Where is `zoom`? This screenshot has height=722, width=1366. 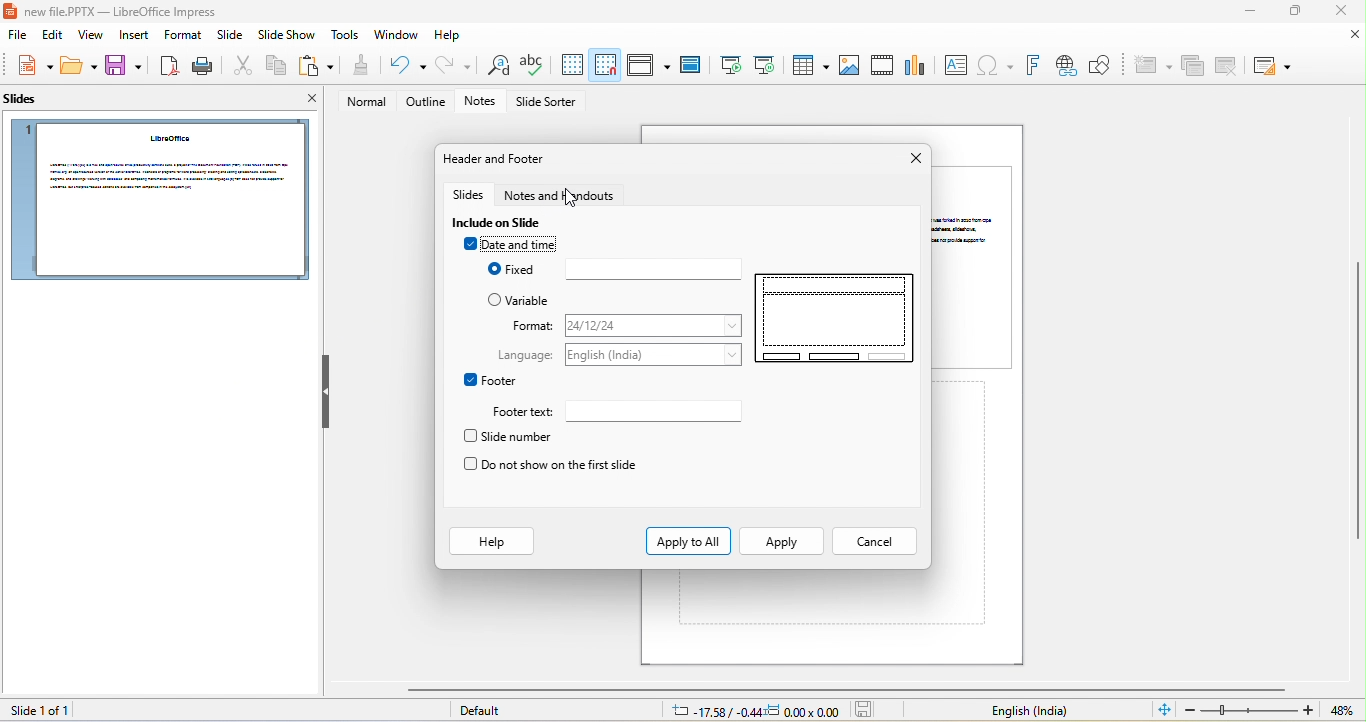 zoom is located at coordinates (1250, 710).